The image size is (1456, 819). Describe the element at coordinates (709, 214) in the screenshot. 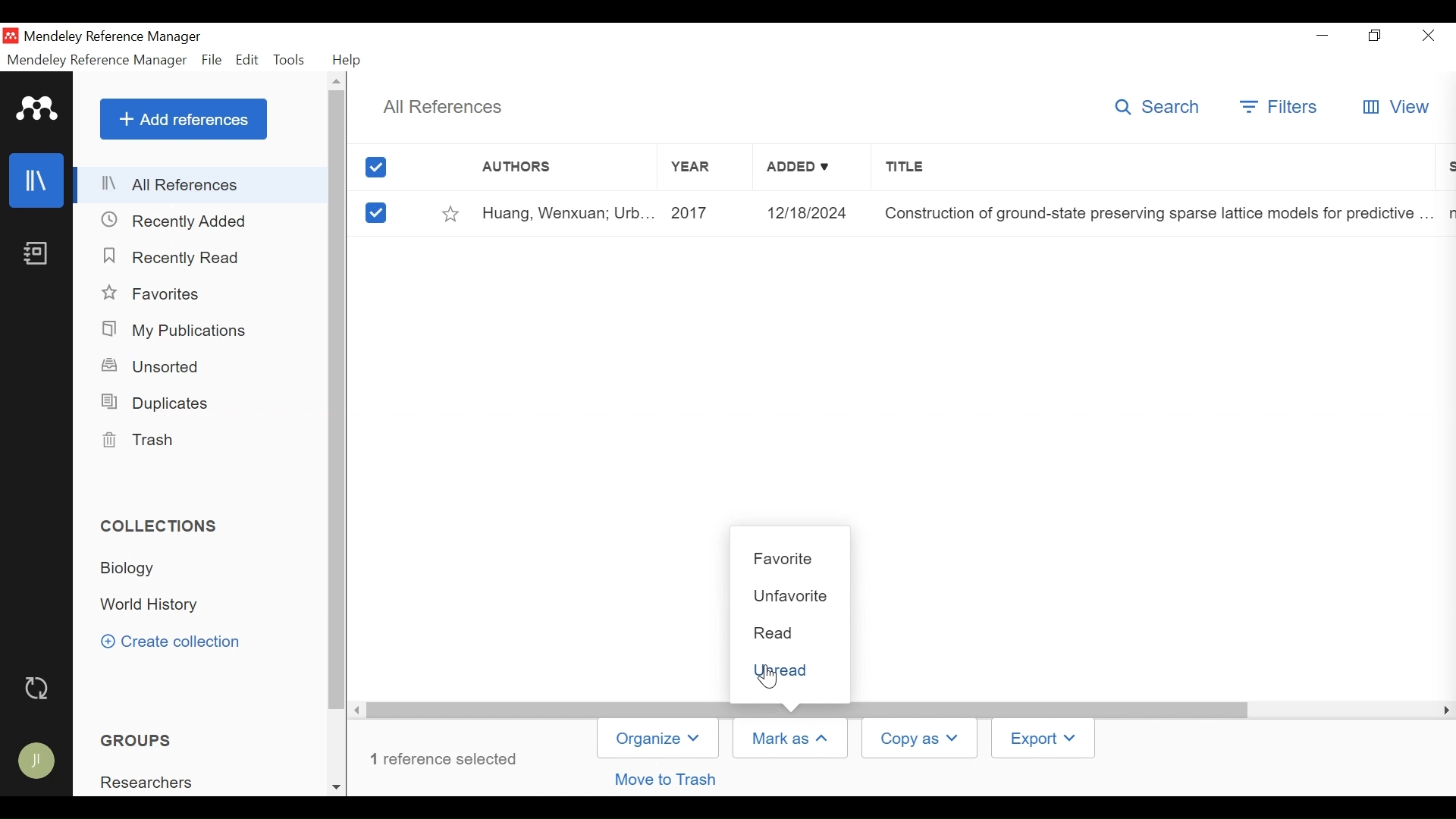

I see `Year` at that location.